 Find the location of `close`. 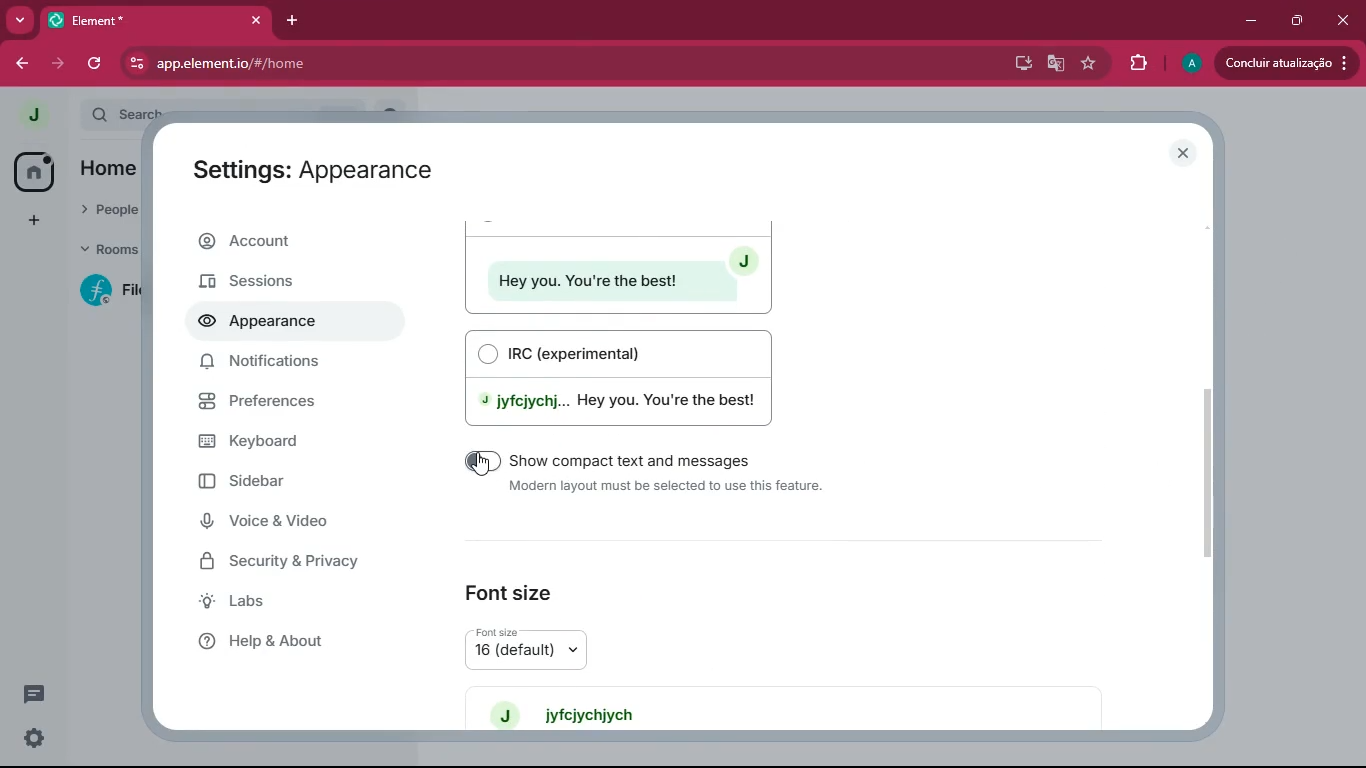

close is located at coordinates (255, 21).